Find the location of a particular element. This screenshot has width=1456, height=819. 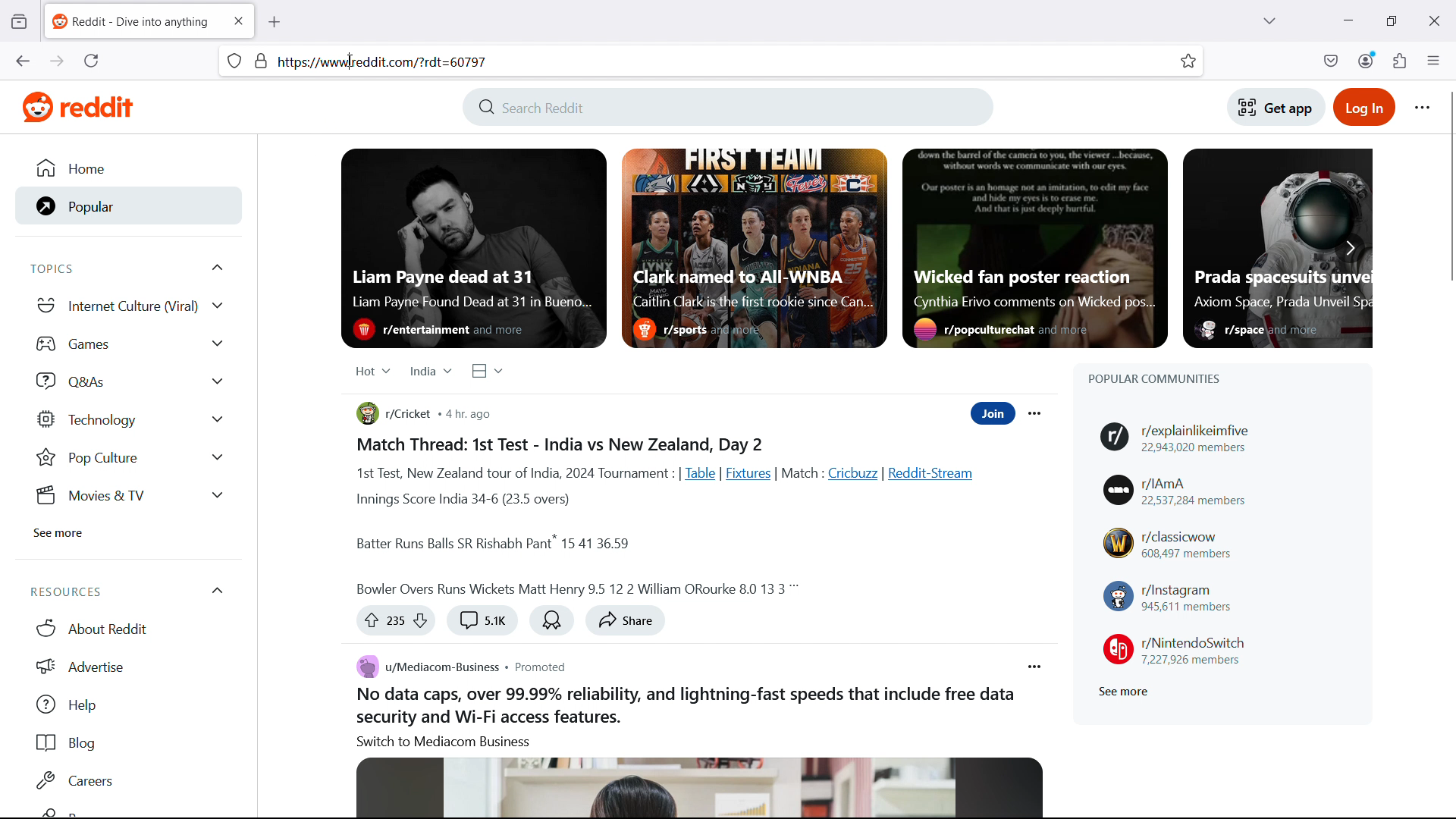

Search Reddit is located at coordinates (727, 106).